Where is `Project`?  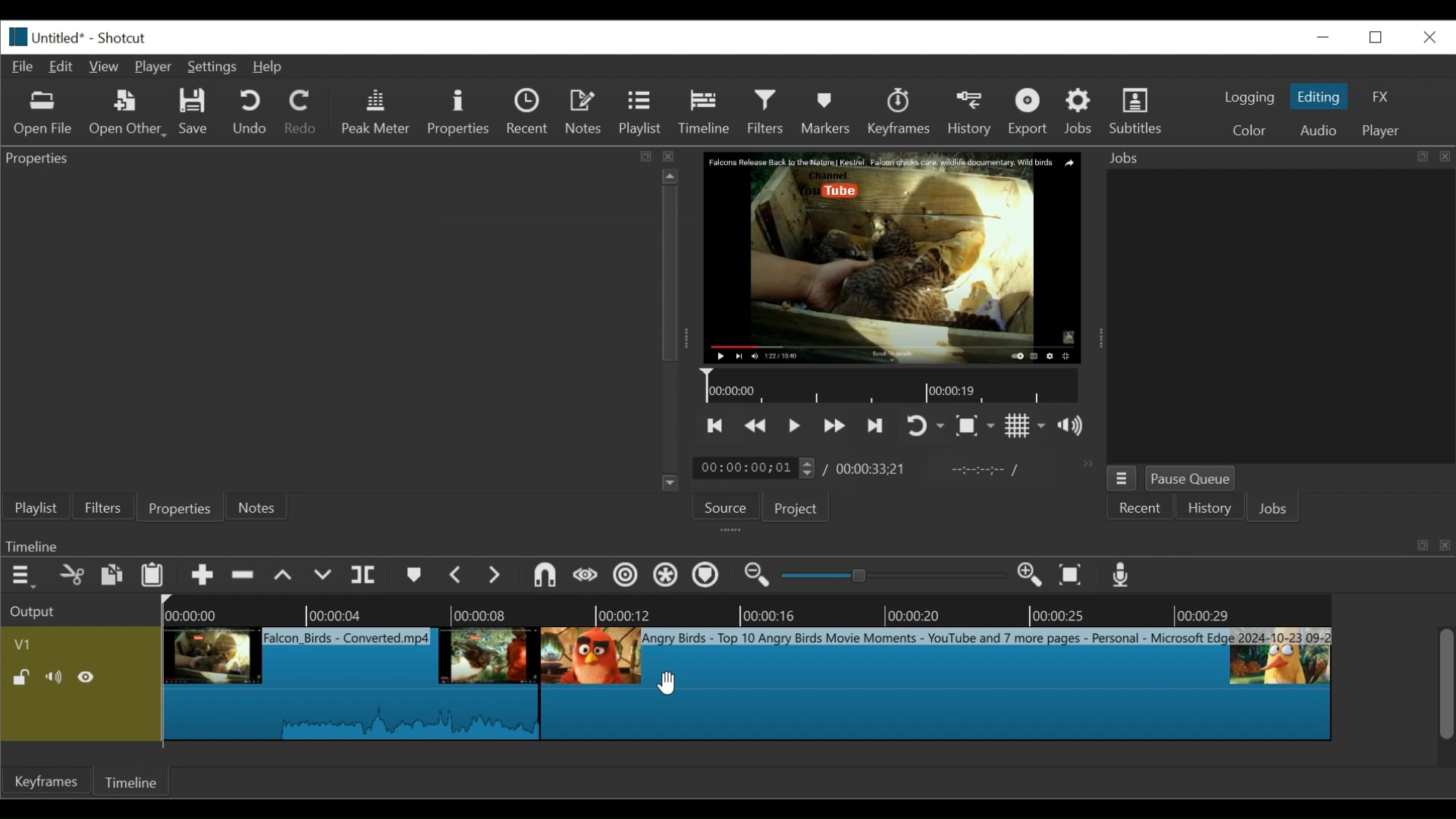
Project is located at coordinates (802, 507).